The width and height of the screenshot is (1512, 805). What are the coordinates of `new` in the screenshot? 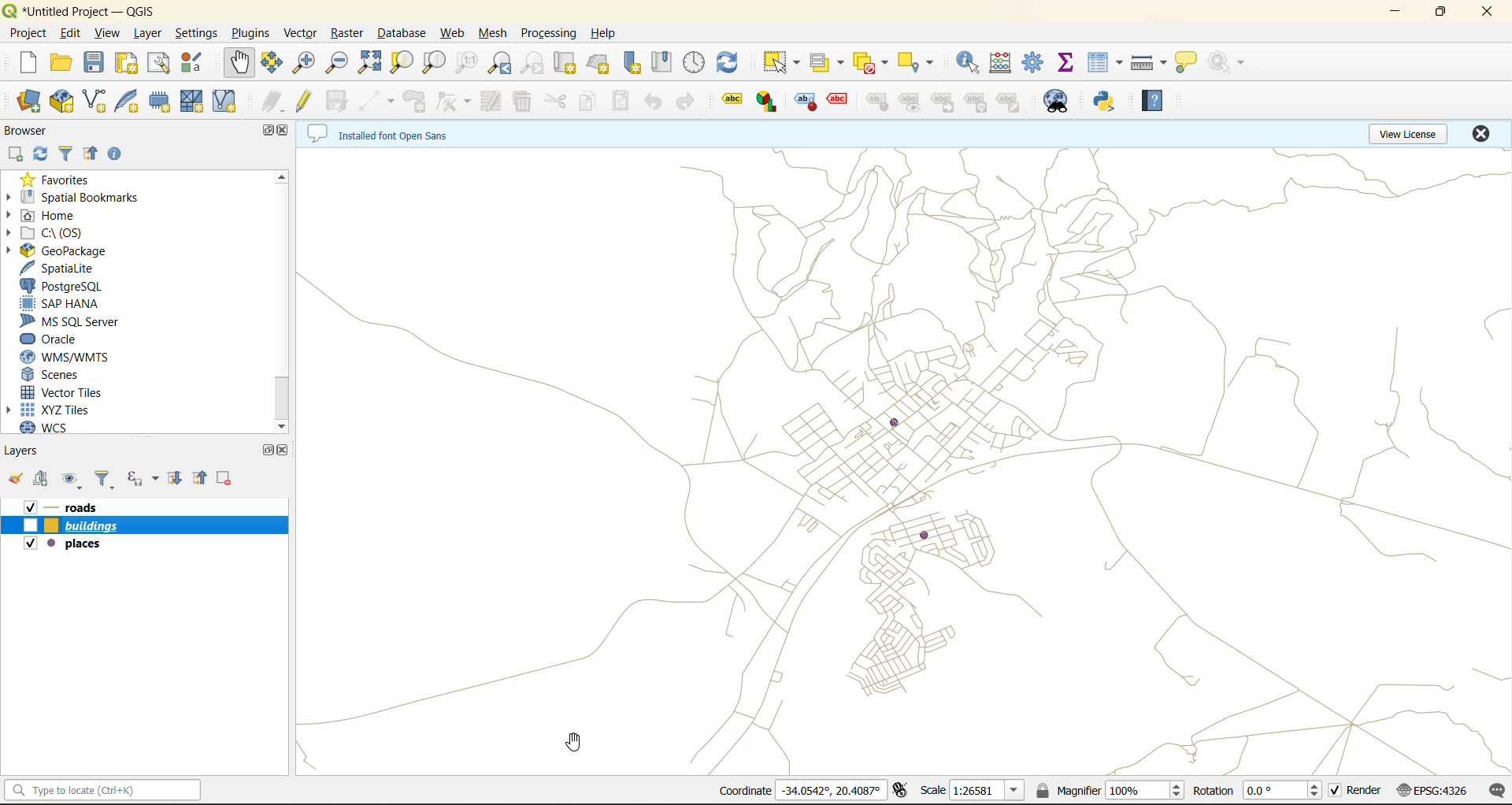 It's located at (18, 64).